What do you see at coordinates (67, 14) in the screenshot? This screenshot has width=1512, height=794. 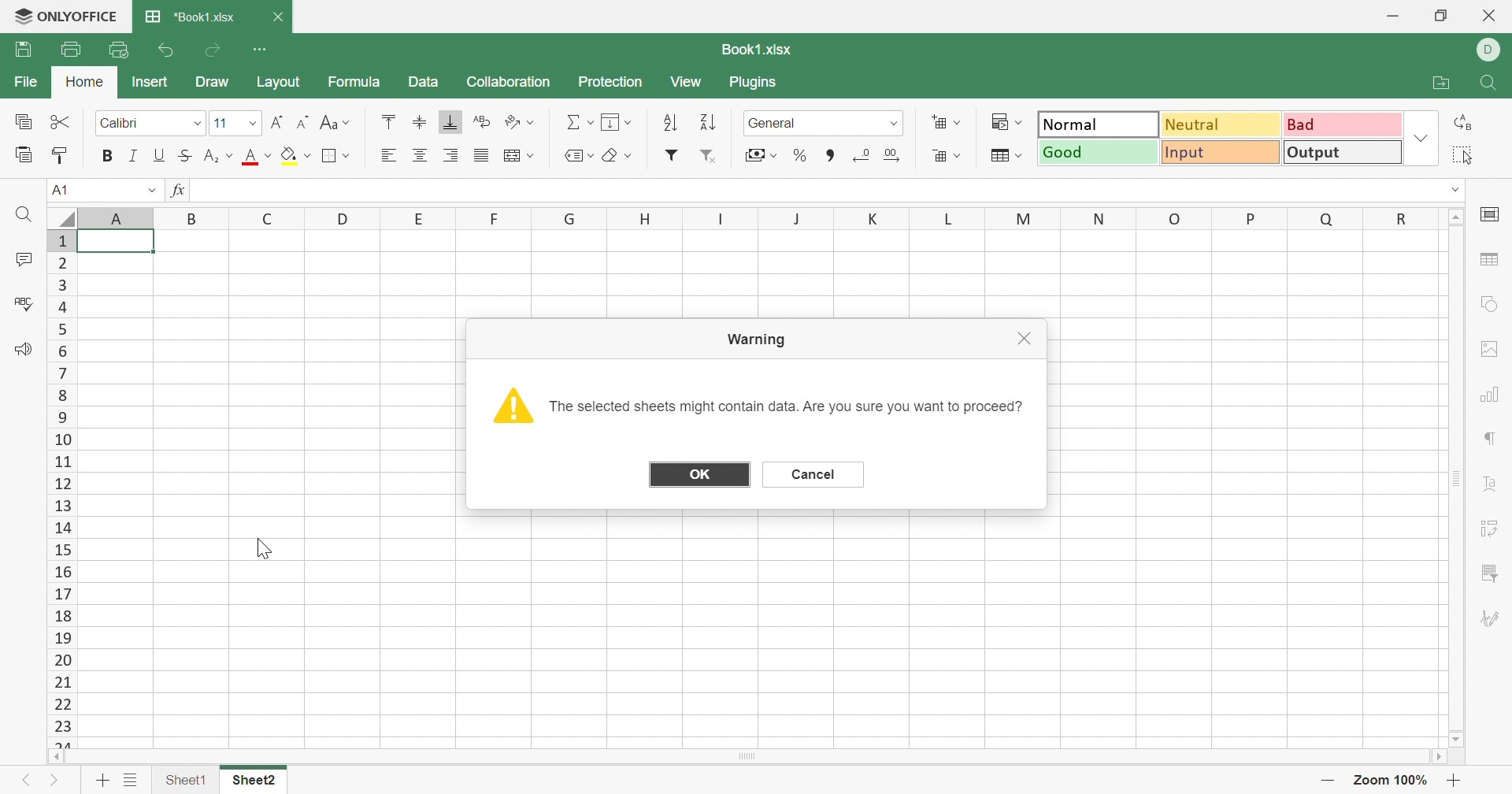 I see `ONLYOFFICE` at bounding box center [67, 14].